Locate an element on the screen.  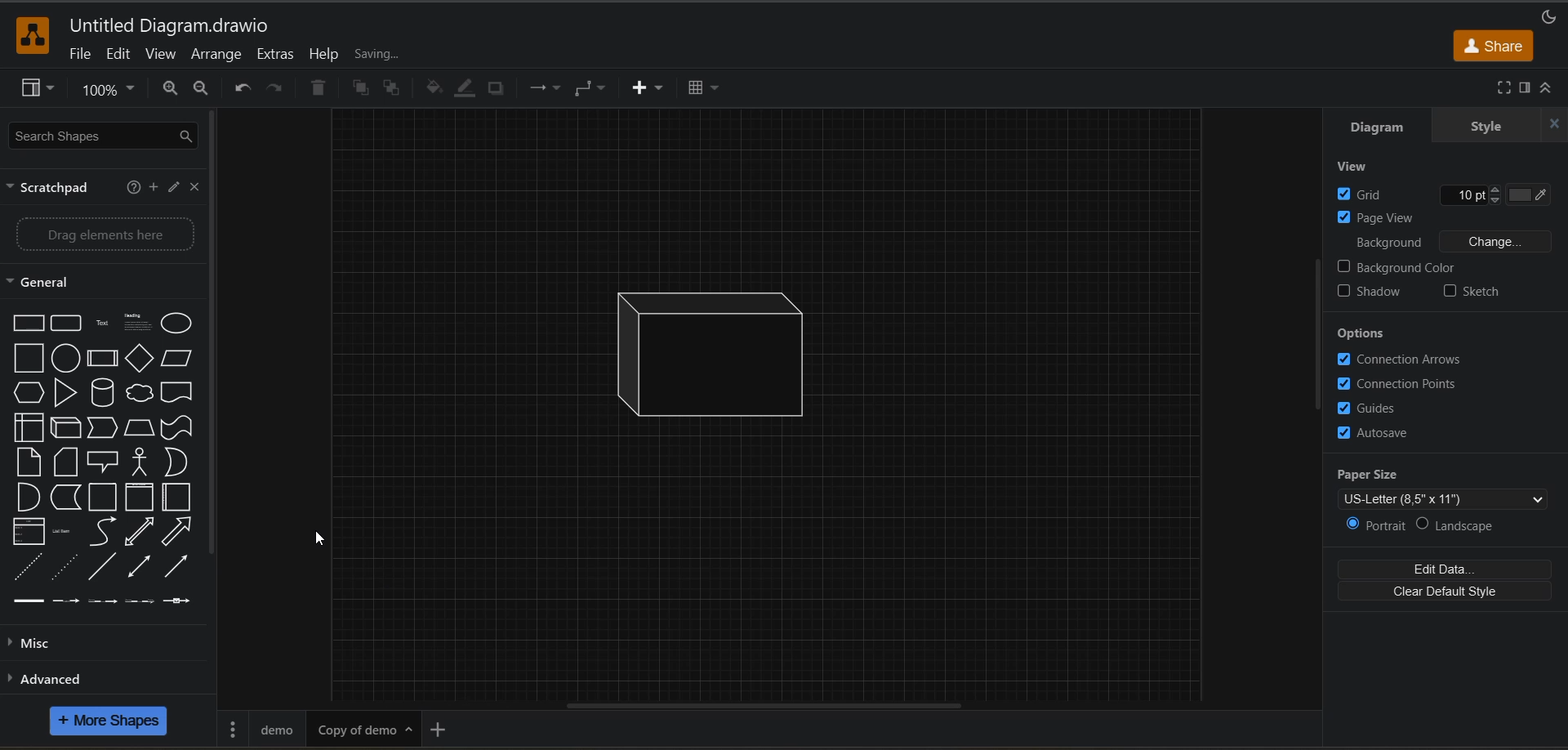
shapes is located at coordinates (101, 458).